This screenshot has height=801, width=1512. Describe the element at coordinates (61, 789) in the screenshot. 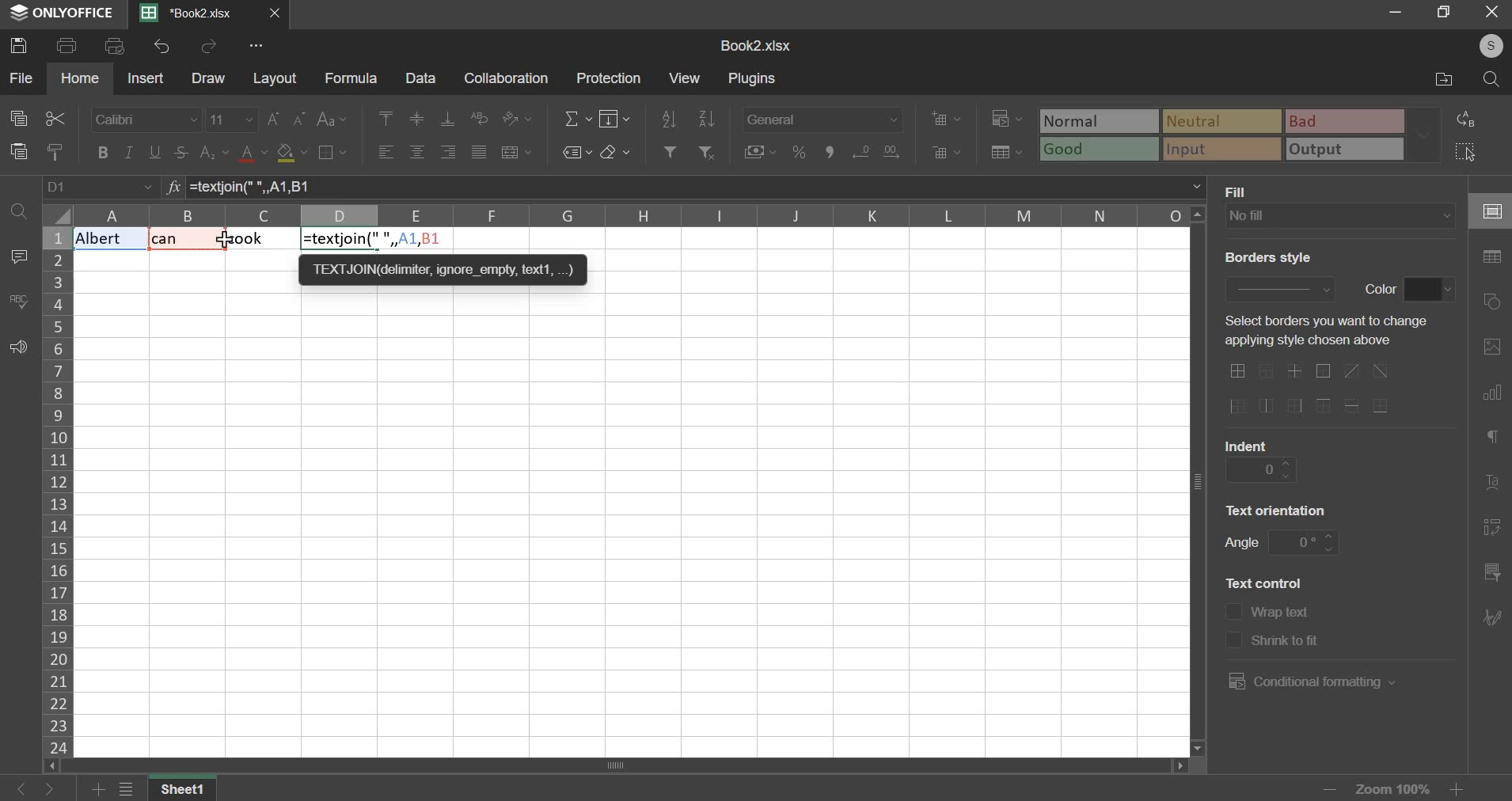

I see `go forward` at that location.